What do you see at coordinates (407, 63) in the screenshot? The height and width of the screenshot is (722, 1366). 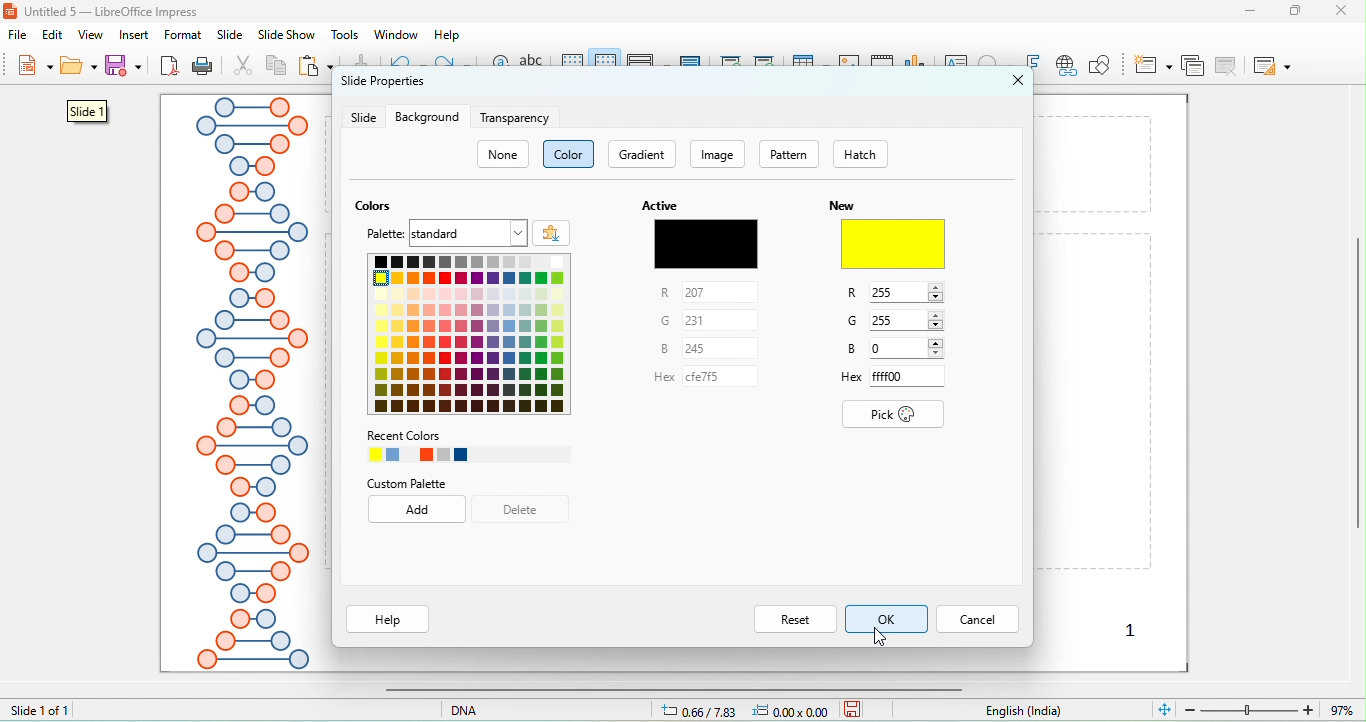 I see `undo` at bounding box center [407, 63].